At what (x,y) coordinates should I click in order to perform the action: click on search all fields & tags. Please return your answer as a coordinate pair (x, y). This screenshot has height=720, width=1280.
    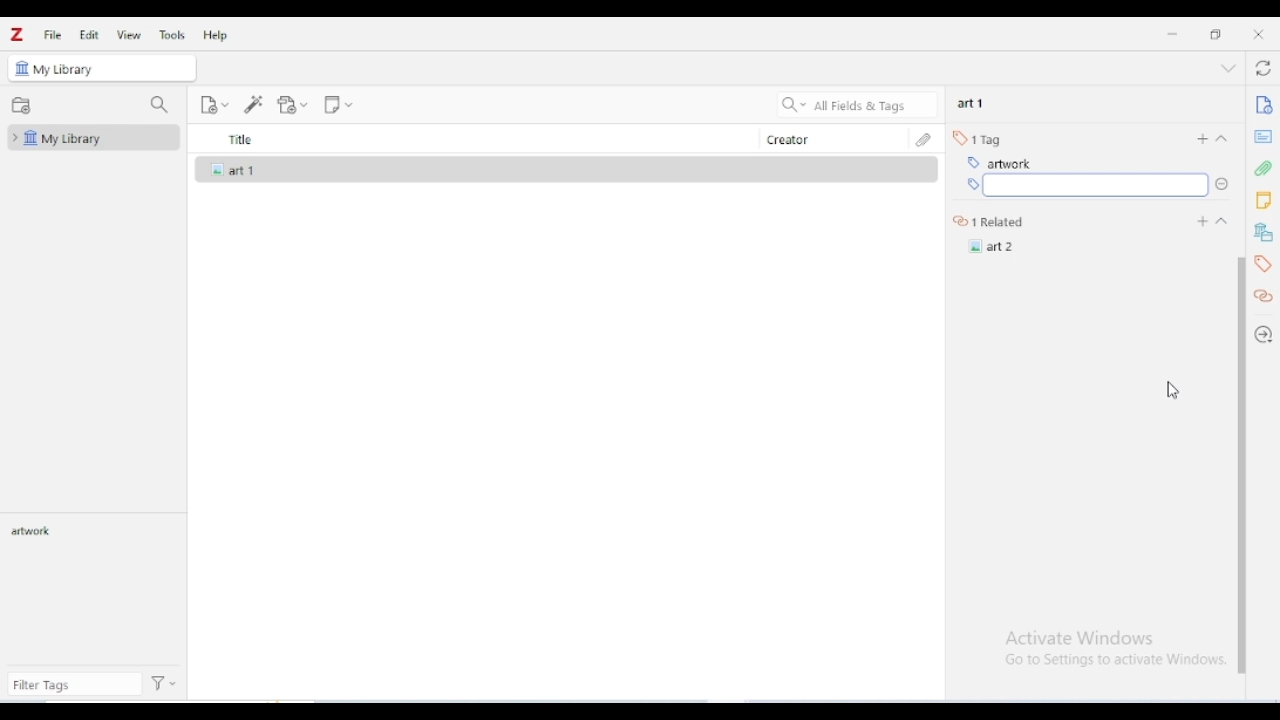
    Looking at the image, I should click on (854, 105).